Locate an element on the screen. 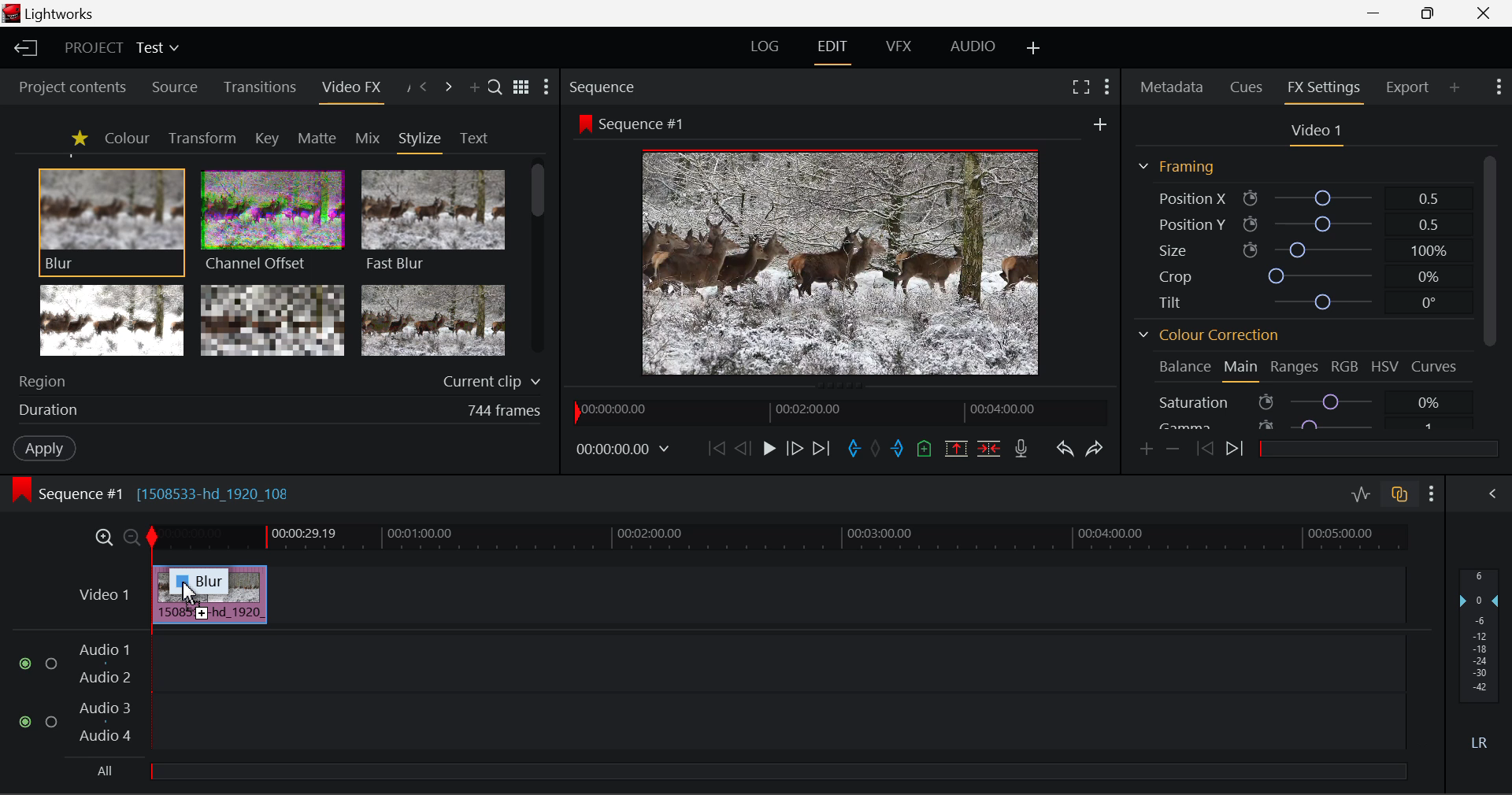  Matte is located at coordinates (317, 138).